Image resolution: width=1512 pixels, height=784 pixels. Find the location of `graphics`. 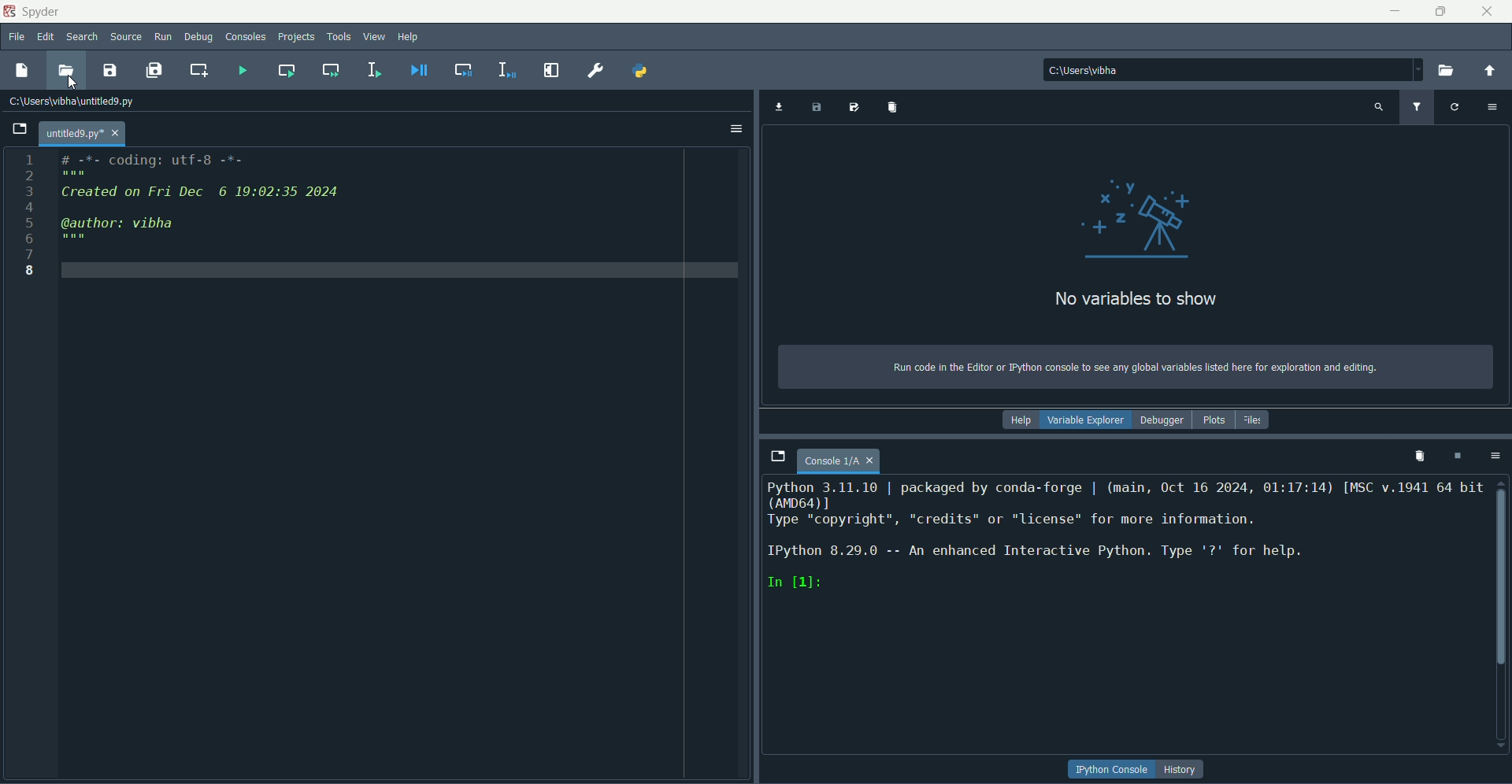

graphics is located at coordinates (1136, 217).